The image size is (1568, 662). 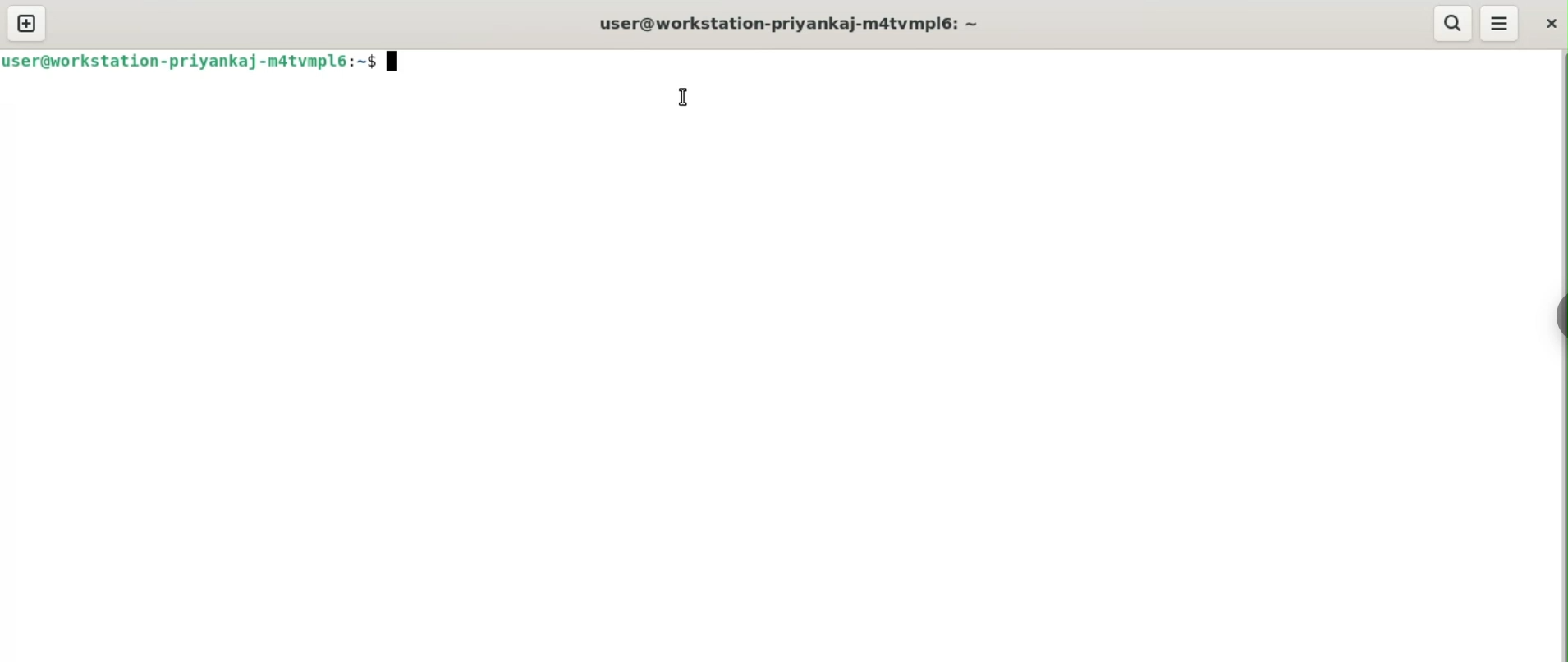 I want to click on menu, so click(x=1500, y=22).